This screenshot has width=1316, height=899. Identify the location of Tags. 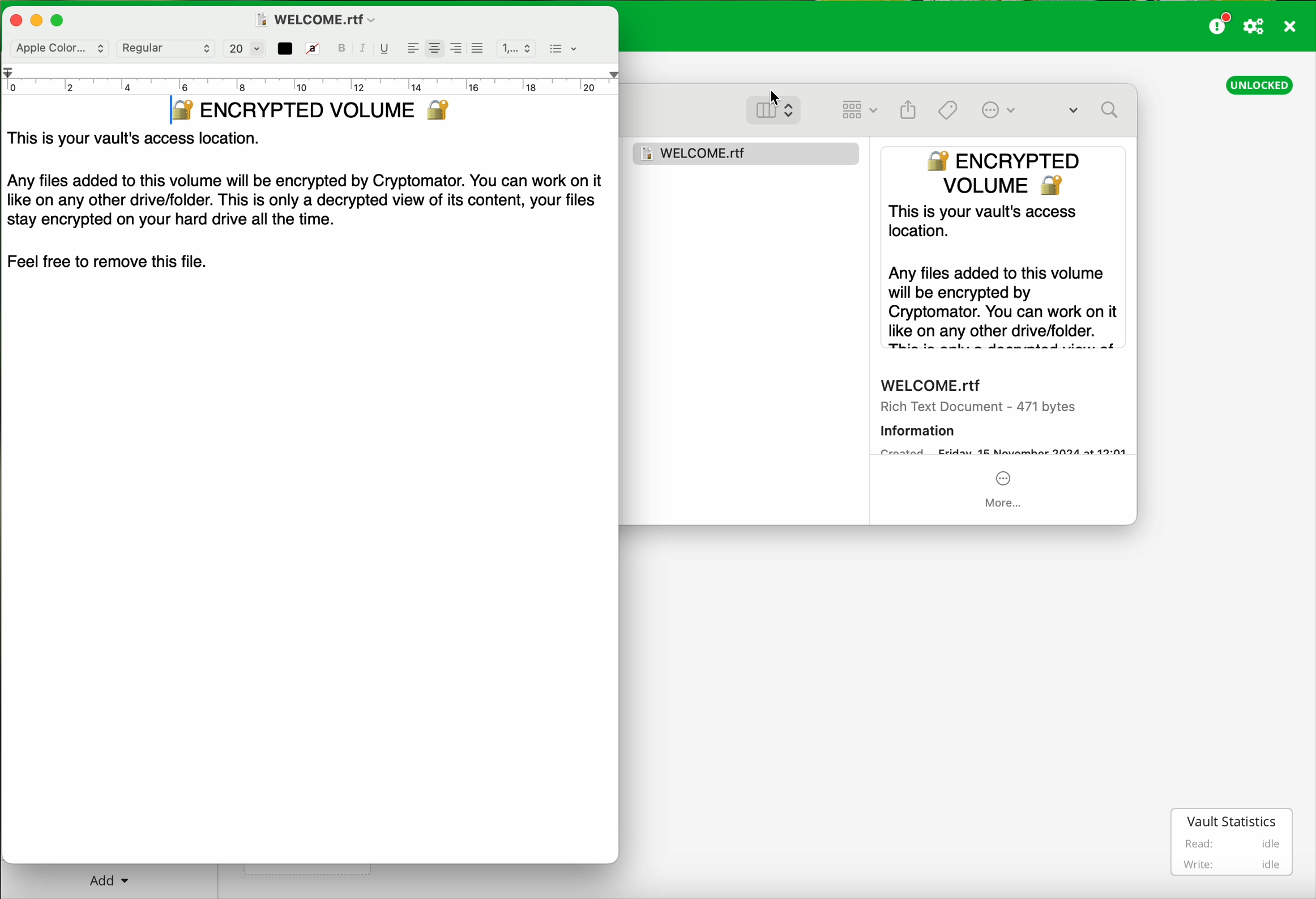
(948, 109).